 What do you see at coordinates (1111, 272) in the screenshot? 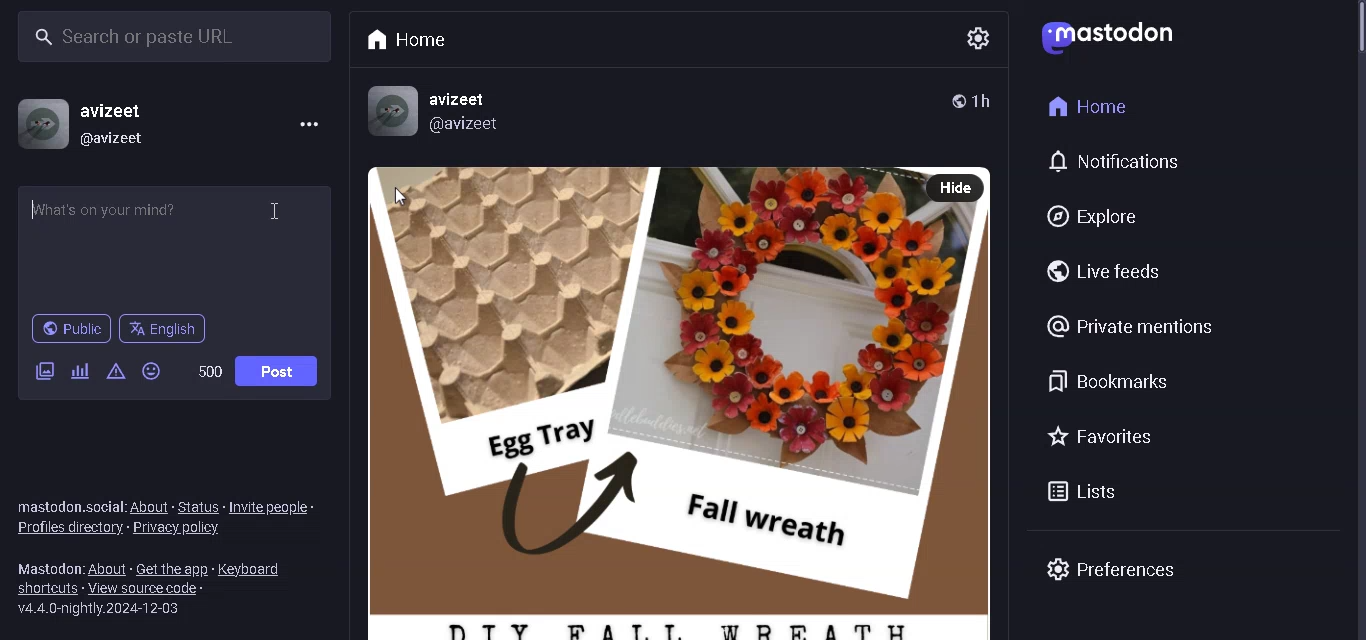
I see `LIVE FEEDS` at bounding box center [1111, 272].